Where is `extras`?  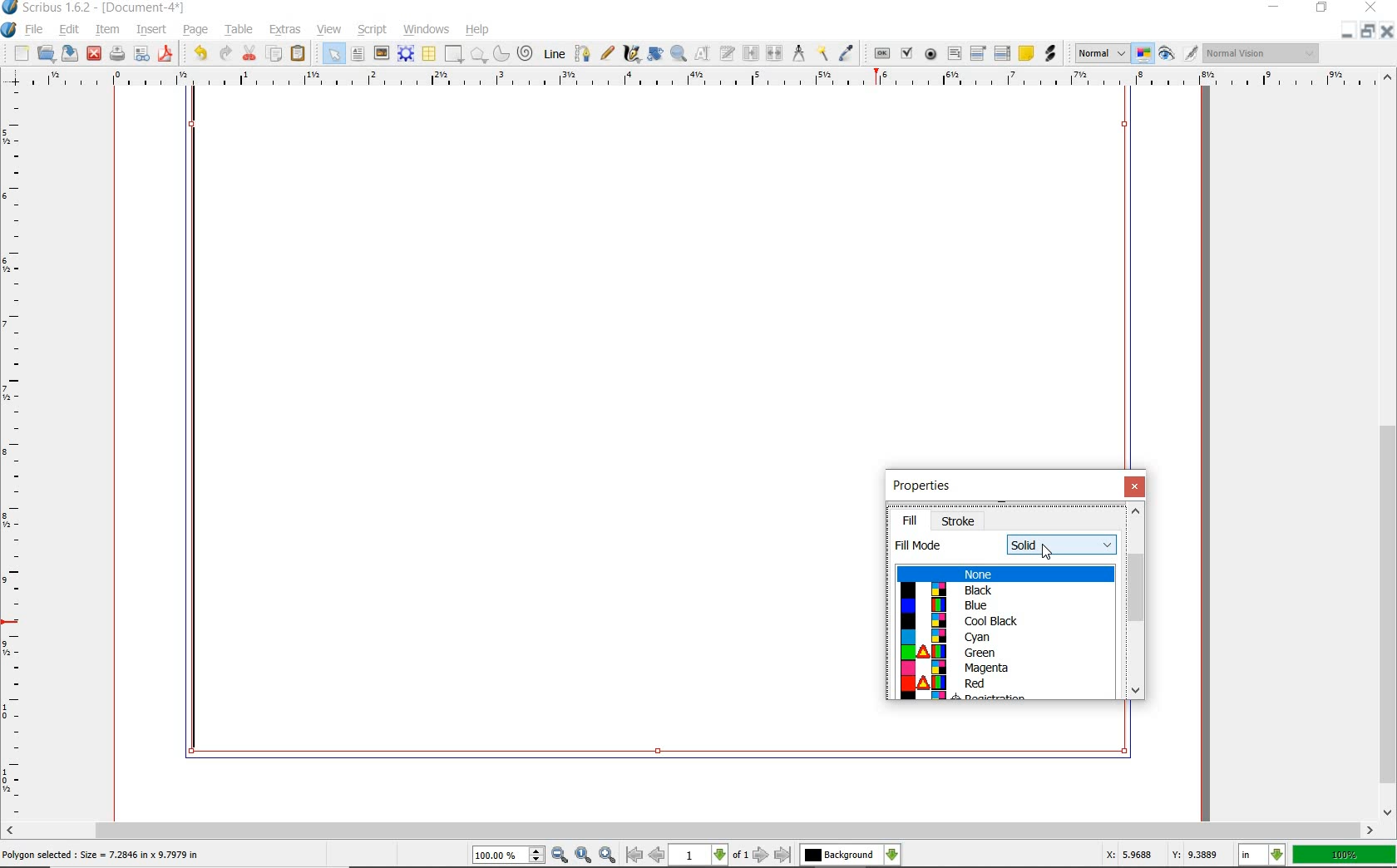 extras is located at coordinates (284, 30).